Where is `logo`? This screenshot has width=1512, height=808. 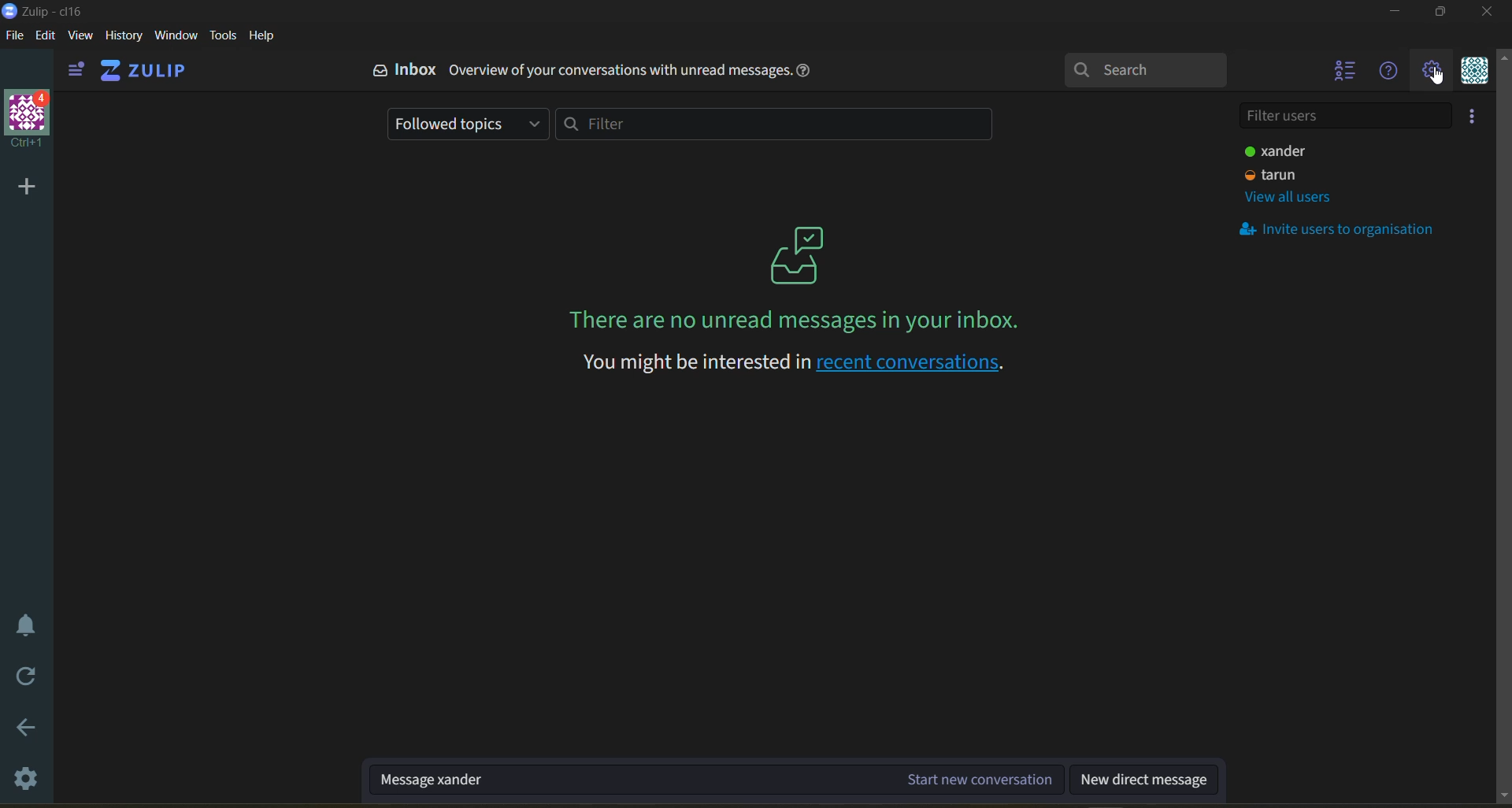 logo is located at coordinates (795, 252).